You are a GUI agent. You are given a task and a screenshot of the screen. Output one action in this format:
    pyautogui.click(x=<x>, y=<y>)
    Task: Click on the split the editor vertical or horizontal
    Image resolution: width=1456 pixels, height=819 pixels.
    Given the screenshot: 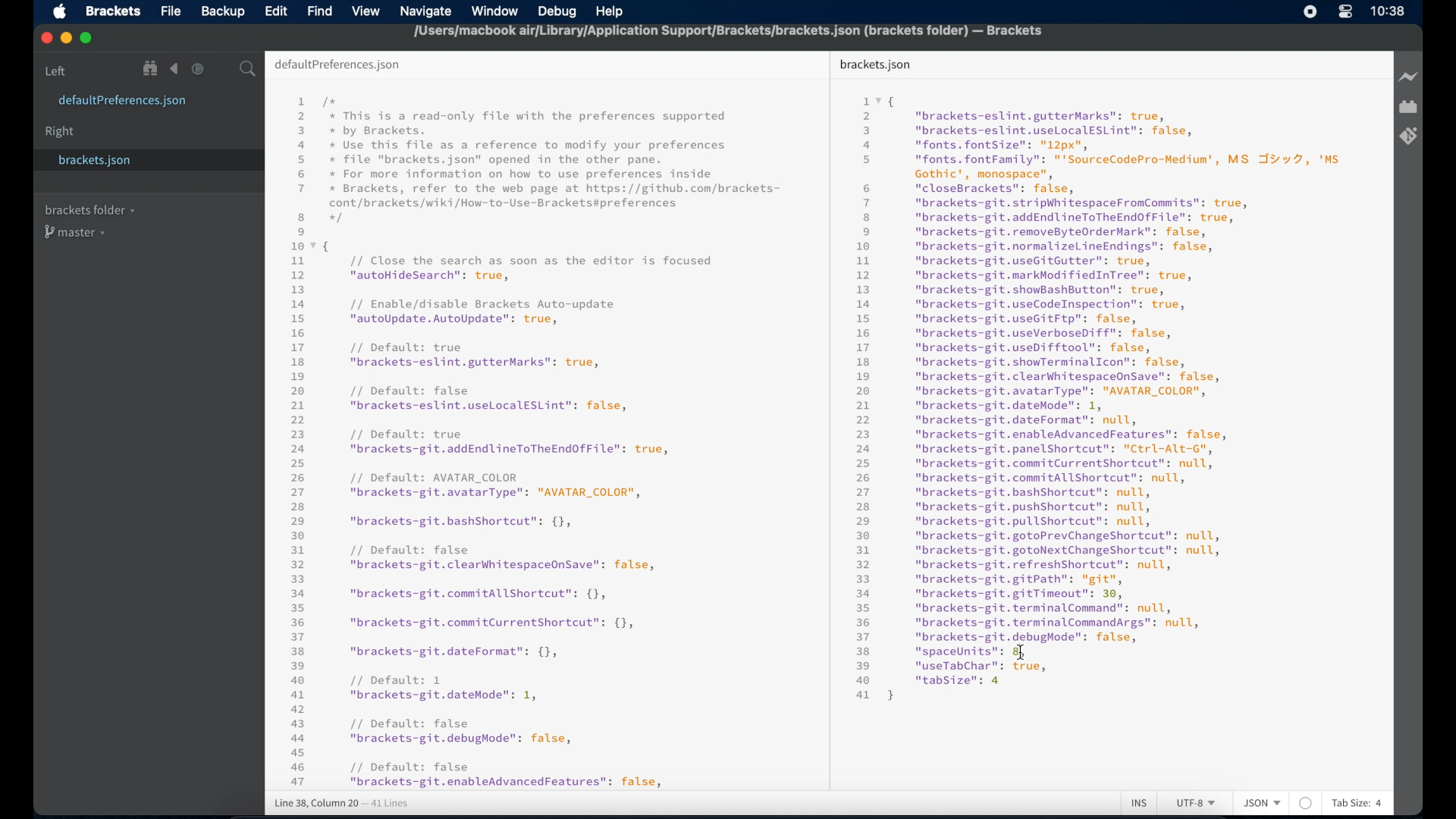 What is the action you would take?
    pyautogui.click(x=222, y=70)
    